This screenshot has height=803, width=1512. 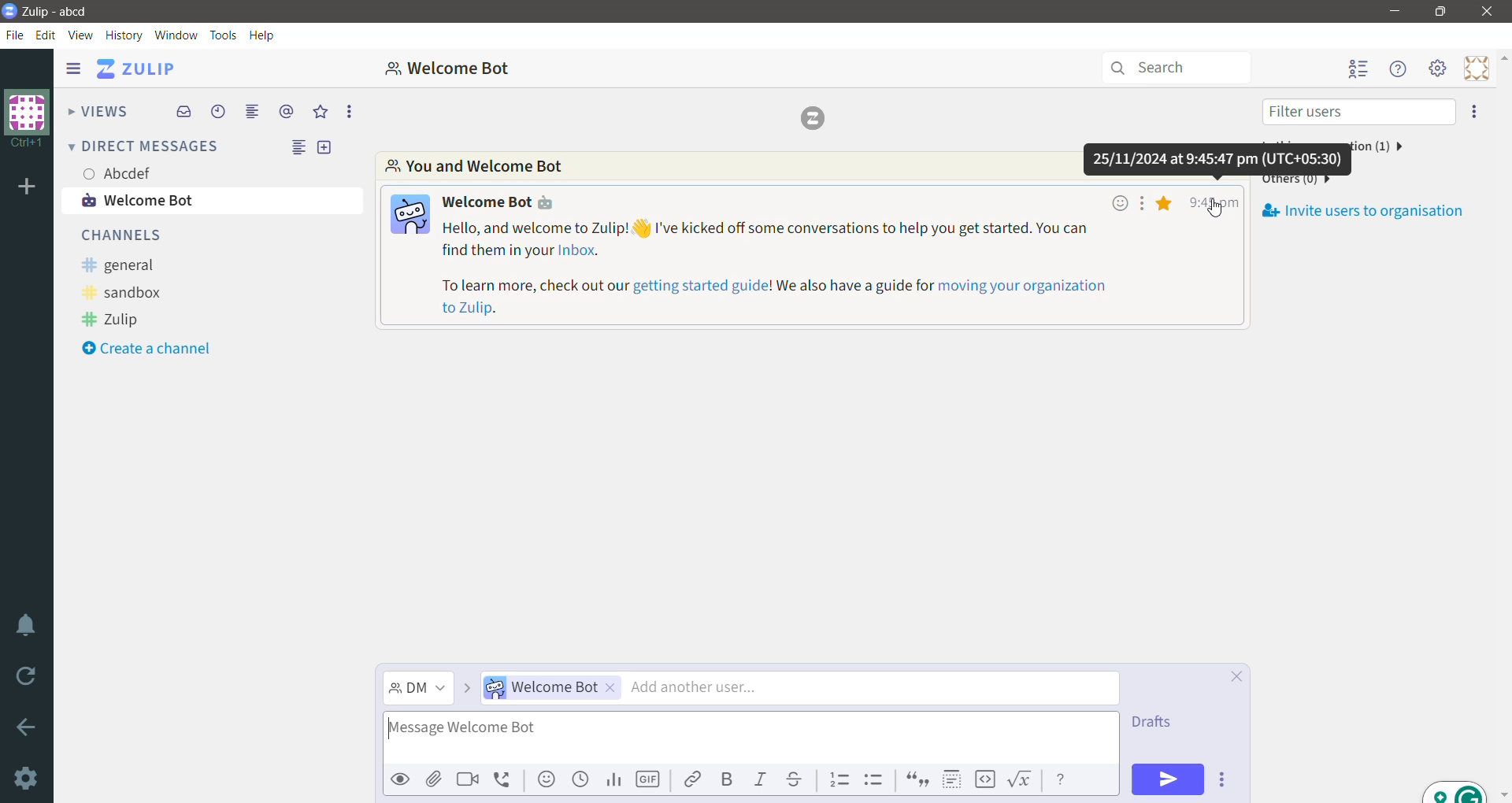 I want to click on Numbered list, so click(x=839, y=781).